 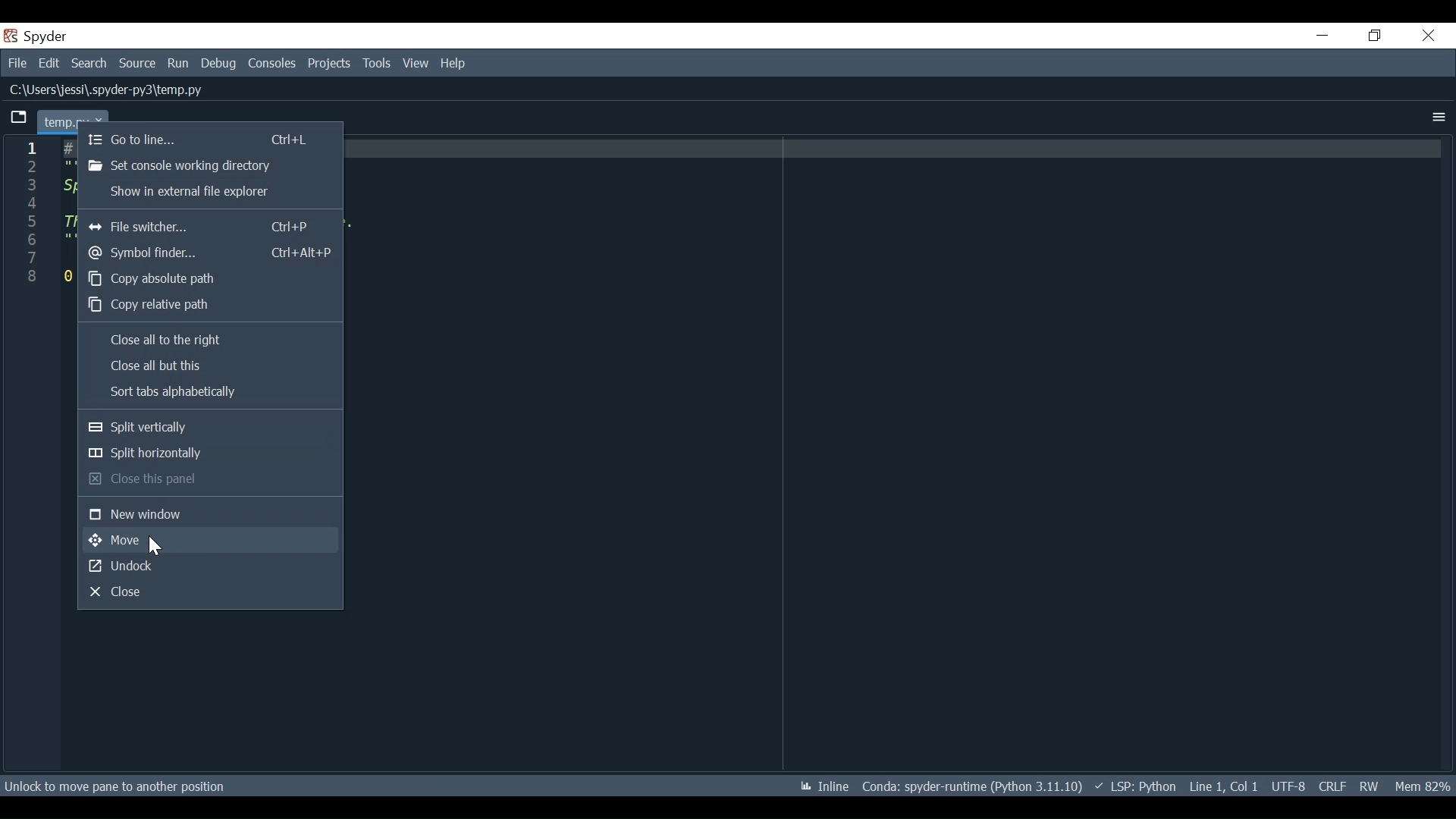 What do you see at coordinates (89, 64) in the screenshot?
I see `Search` at bounding box center [89, 64].